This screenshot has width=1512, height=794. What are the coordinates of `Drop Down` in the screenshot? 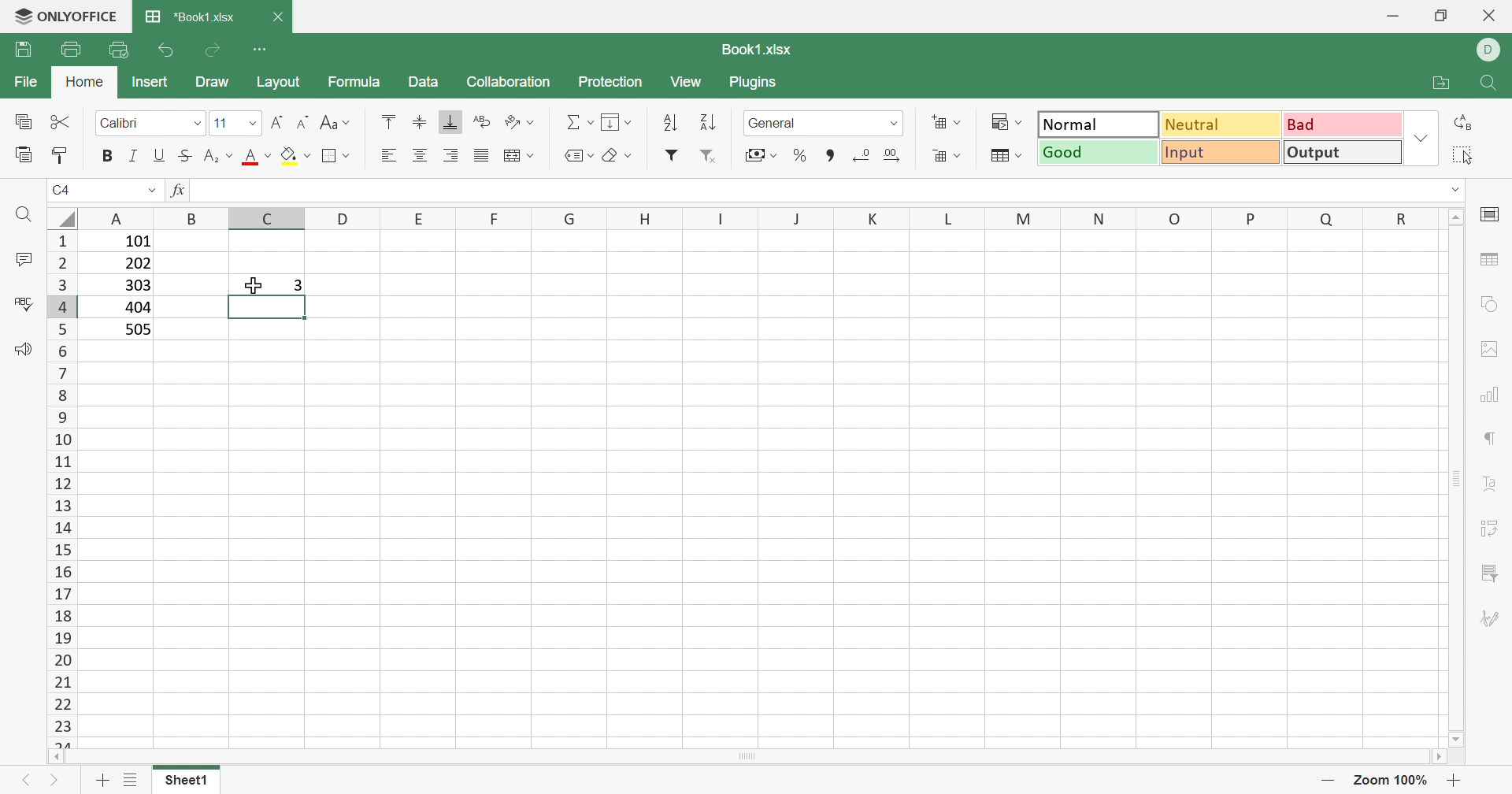 It's located at (152, 191).